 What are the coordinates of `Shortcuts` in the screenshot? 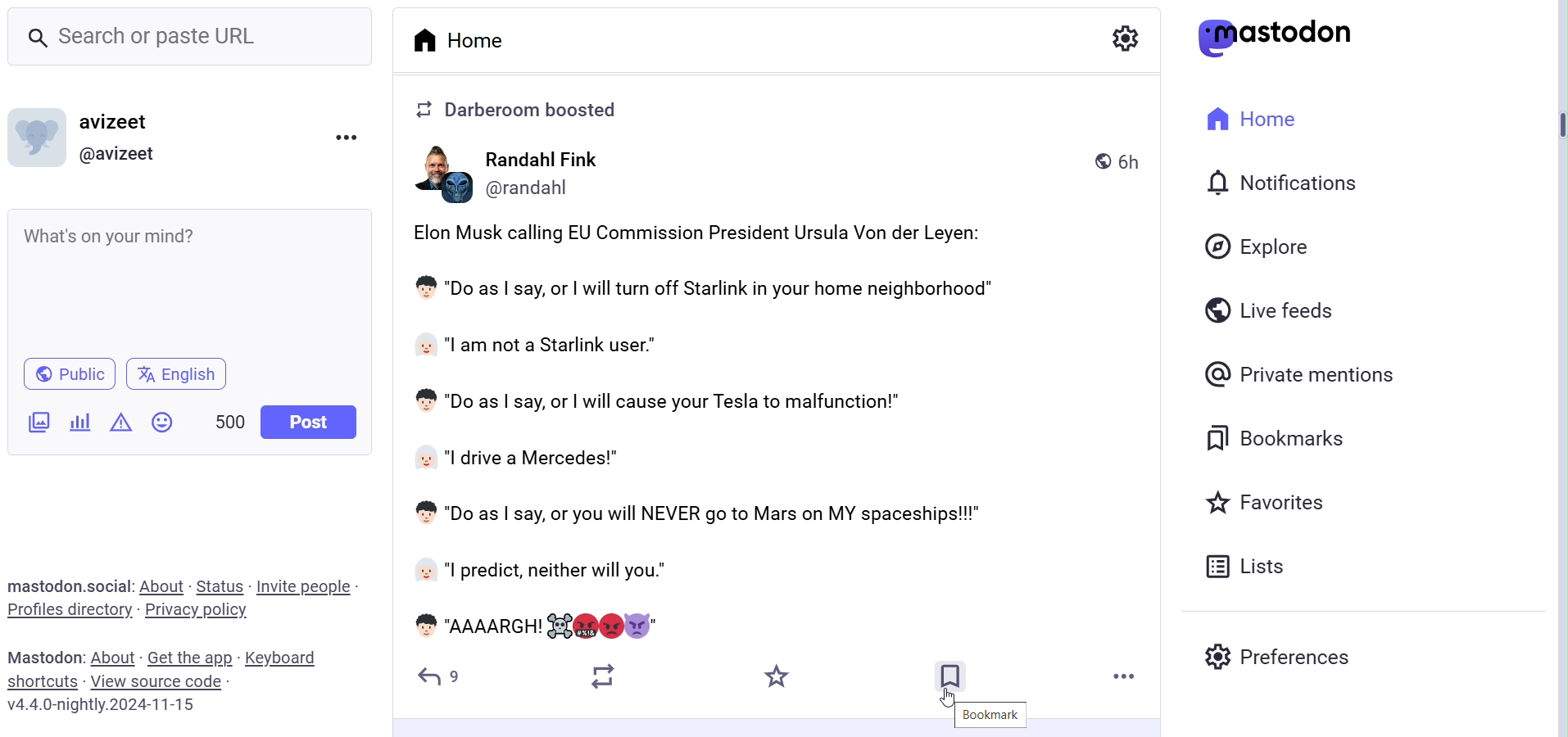 It's located at (43, 680).